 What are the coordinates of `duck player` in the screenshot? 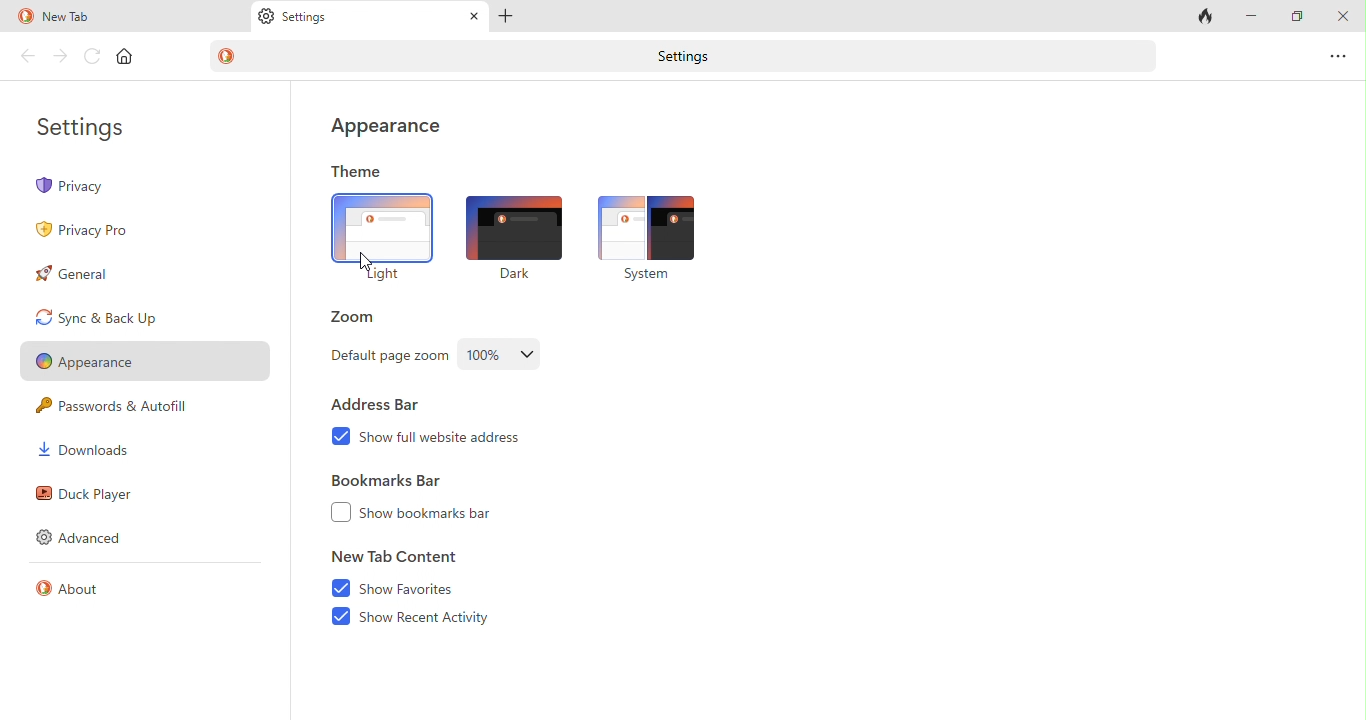 It's located at (88, 494).